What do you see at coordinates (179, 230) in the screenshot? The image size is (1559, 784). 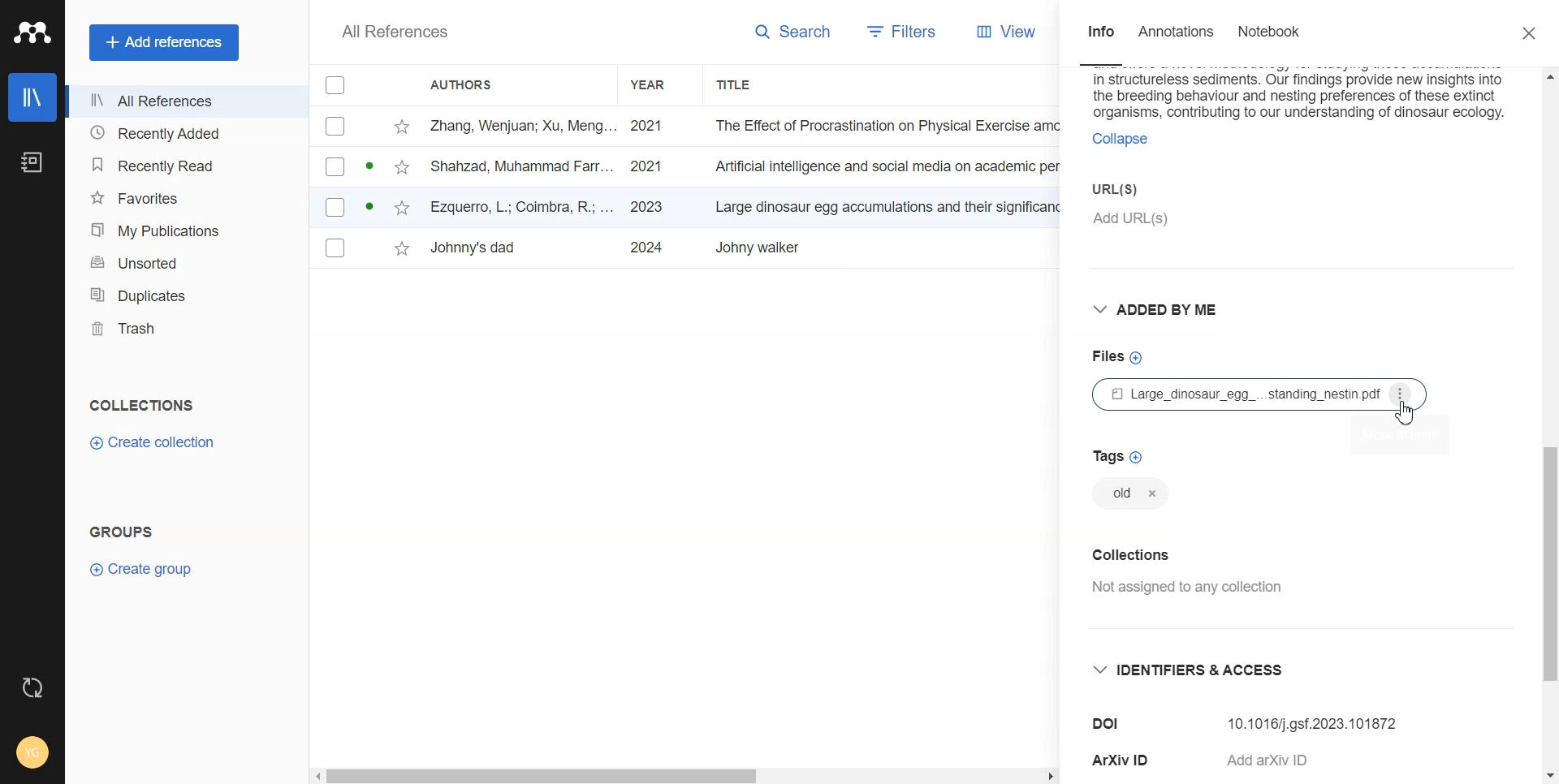 I see `My publication` at bounding box center [179, 230].